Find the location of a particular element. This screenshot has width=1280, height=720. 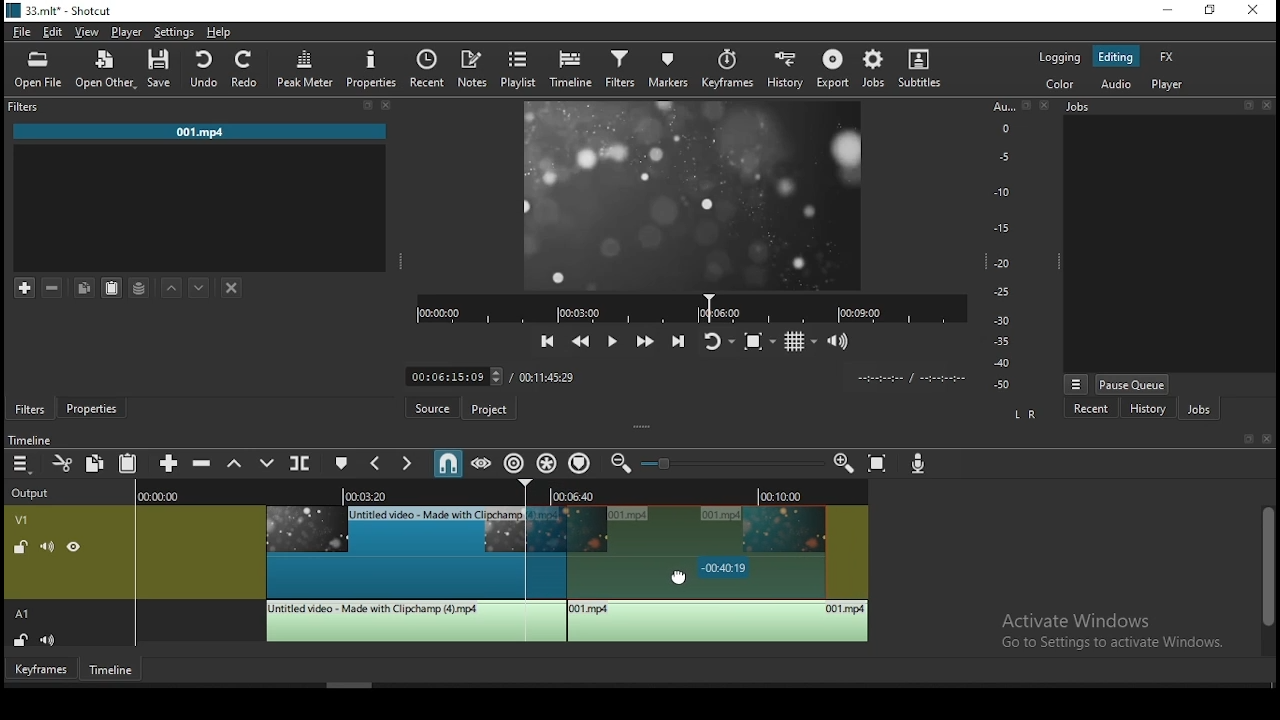

timeline is located at coordinates (111, 671).